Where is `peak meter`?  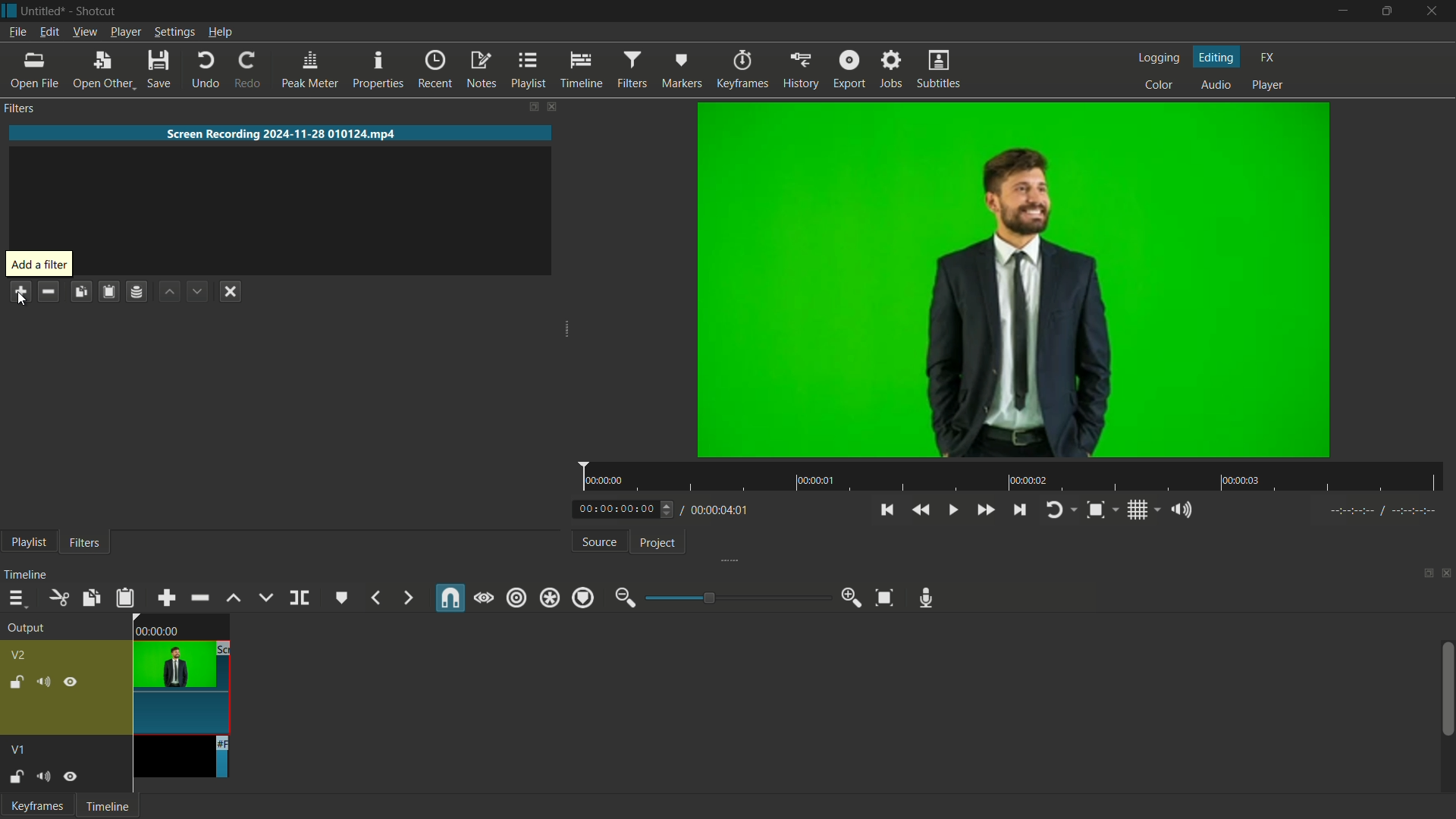
peak meter is located at coordinates (309, 69).